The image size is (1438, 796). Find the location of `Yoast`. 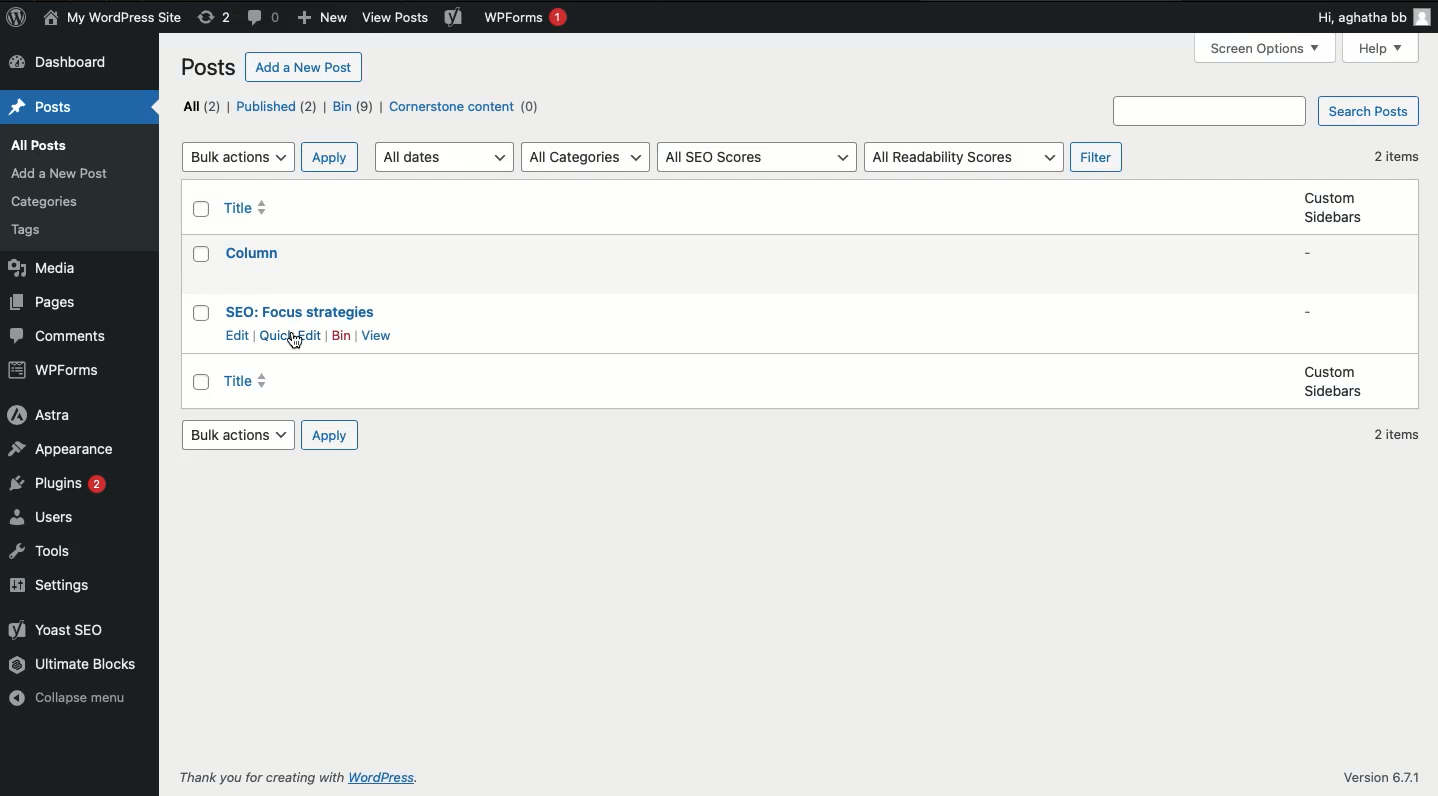

Yoast is located at coordinates (453, 16).